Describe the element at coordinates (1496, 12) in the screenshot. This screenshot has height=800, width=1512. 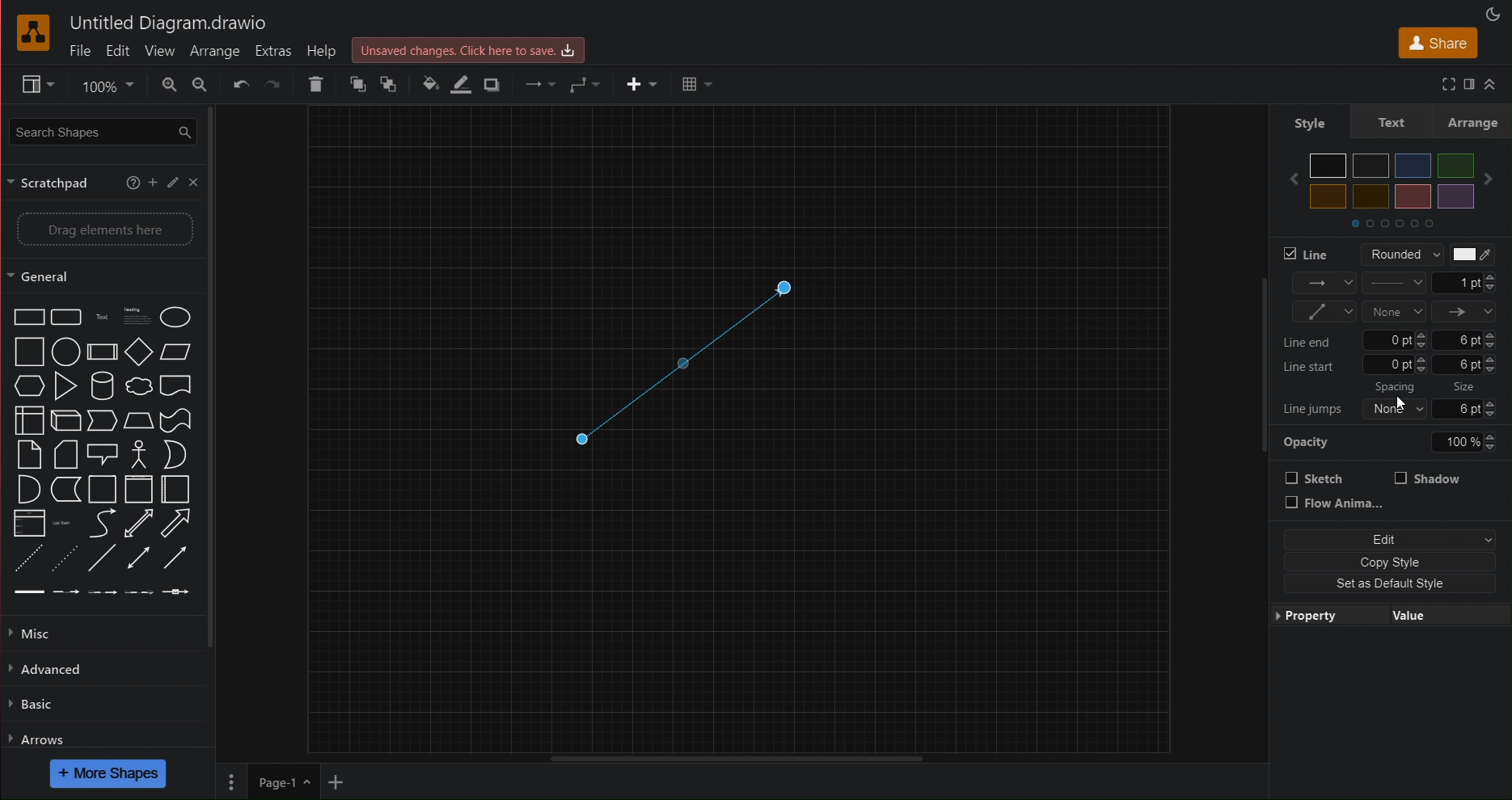
I see `appearance` at that location.